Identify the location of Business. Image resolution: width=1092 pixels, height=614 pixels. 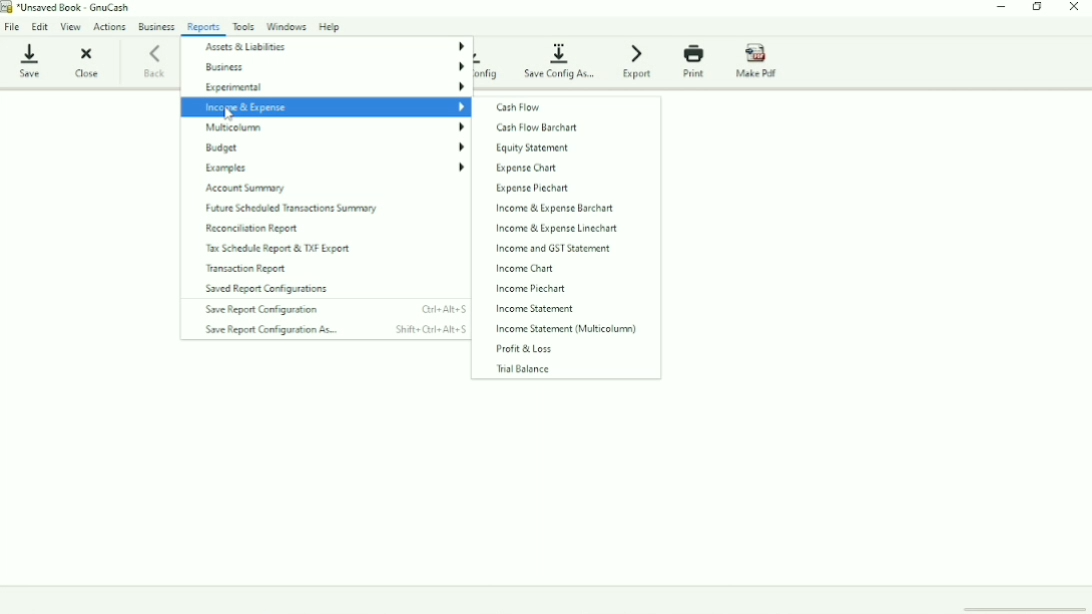
(156, 26).